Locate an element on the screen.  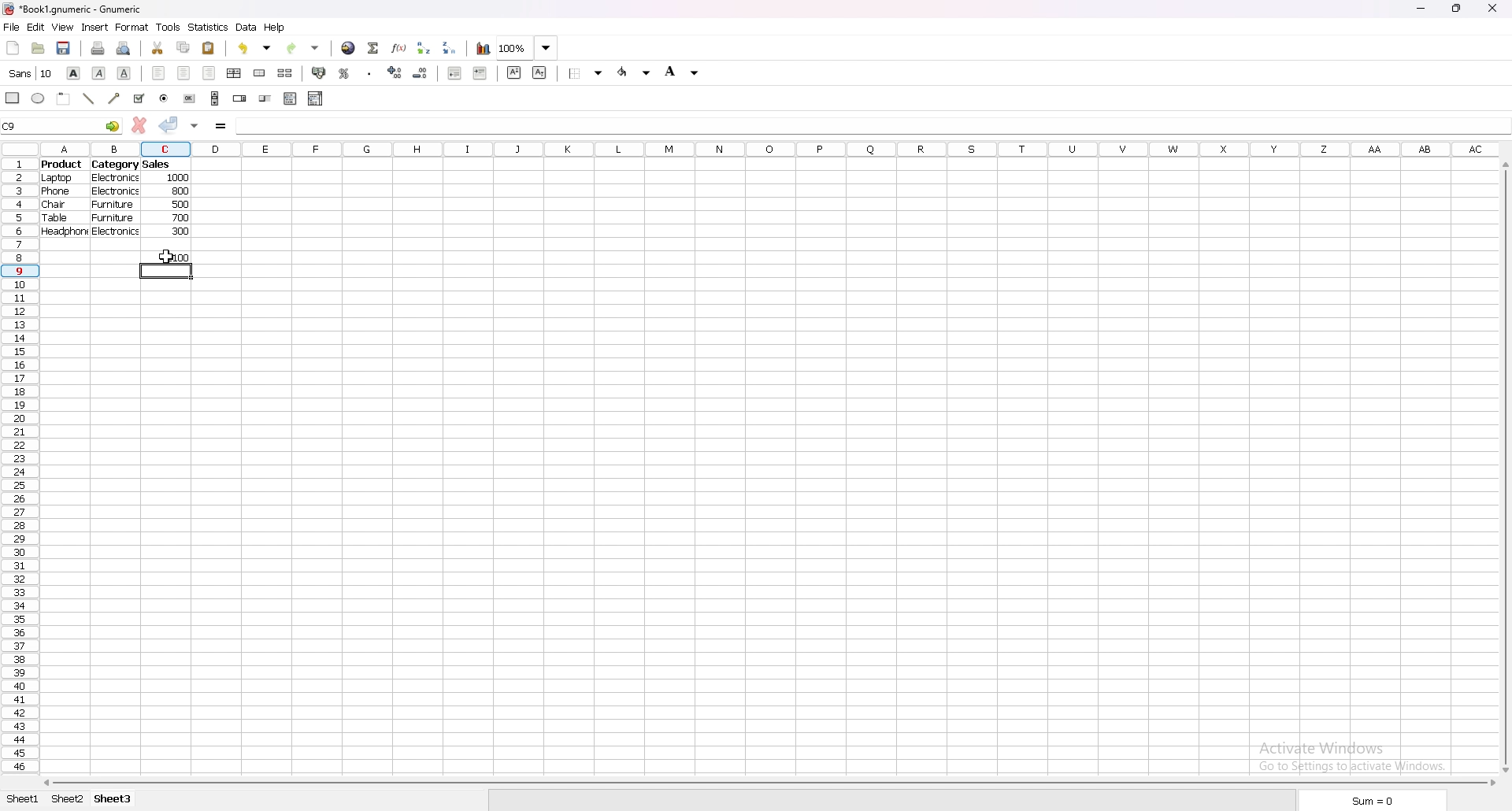
furniture is located at coordinates (113, 205).